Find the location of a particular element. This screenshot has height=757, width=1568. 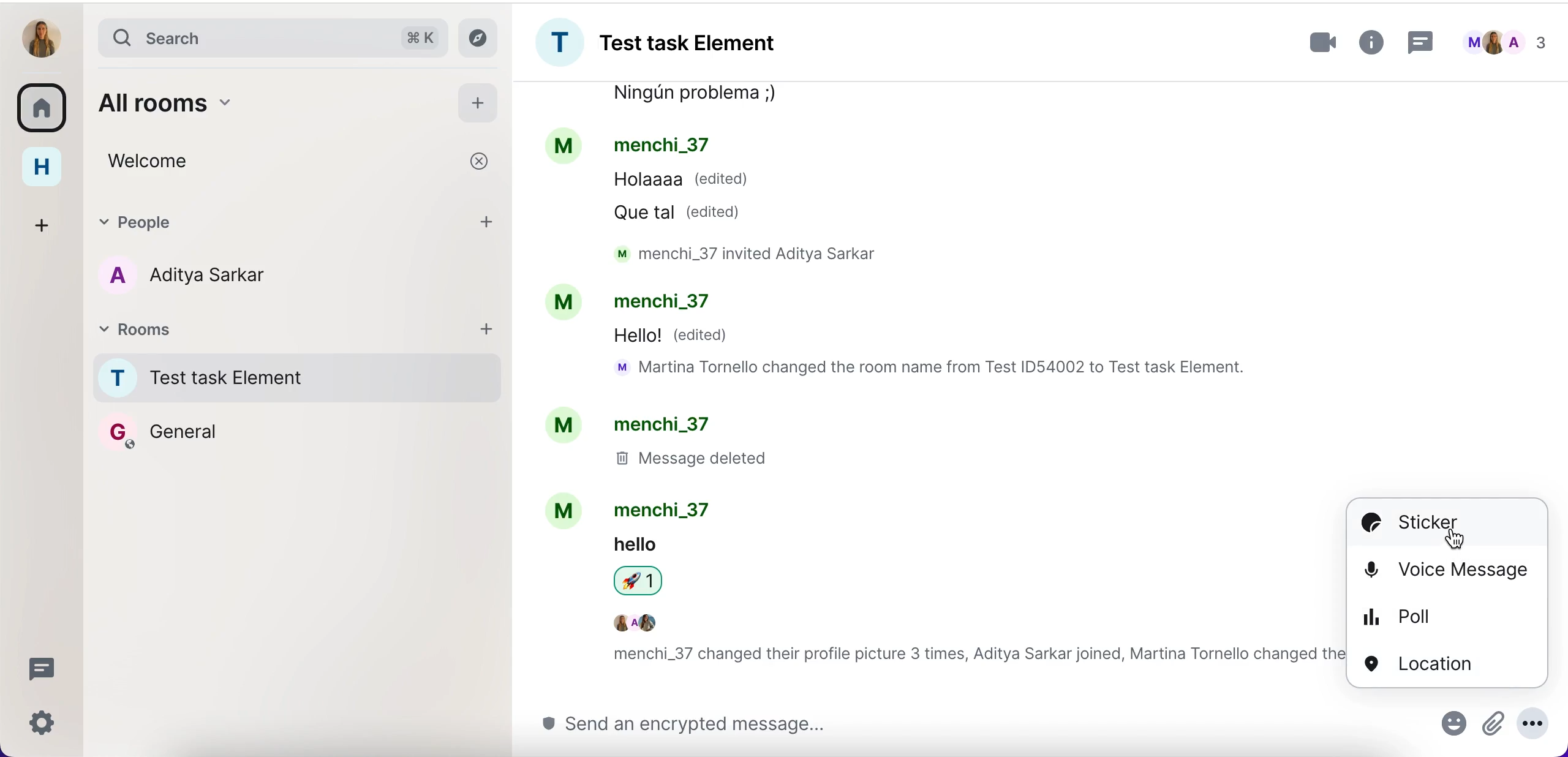

add is located at coordinates (492, 222).